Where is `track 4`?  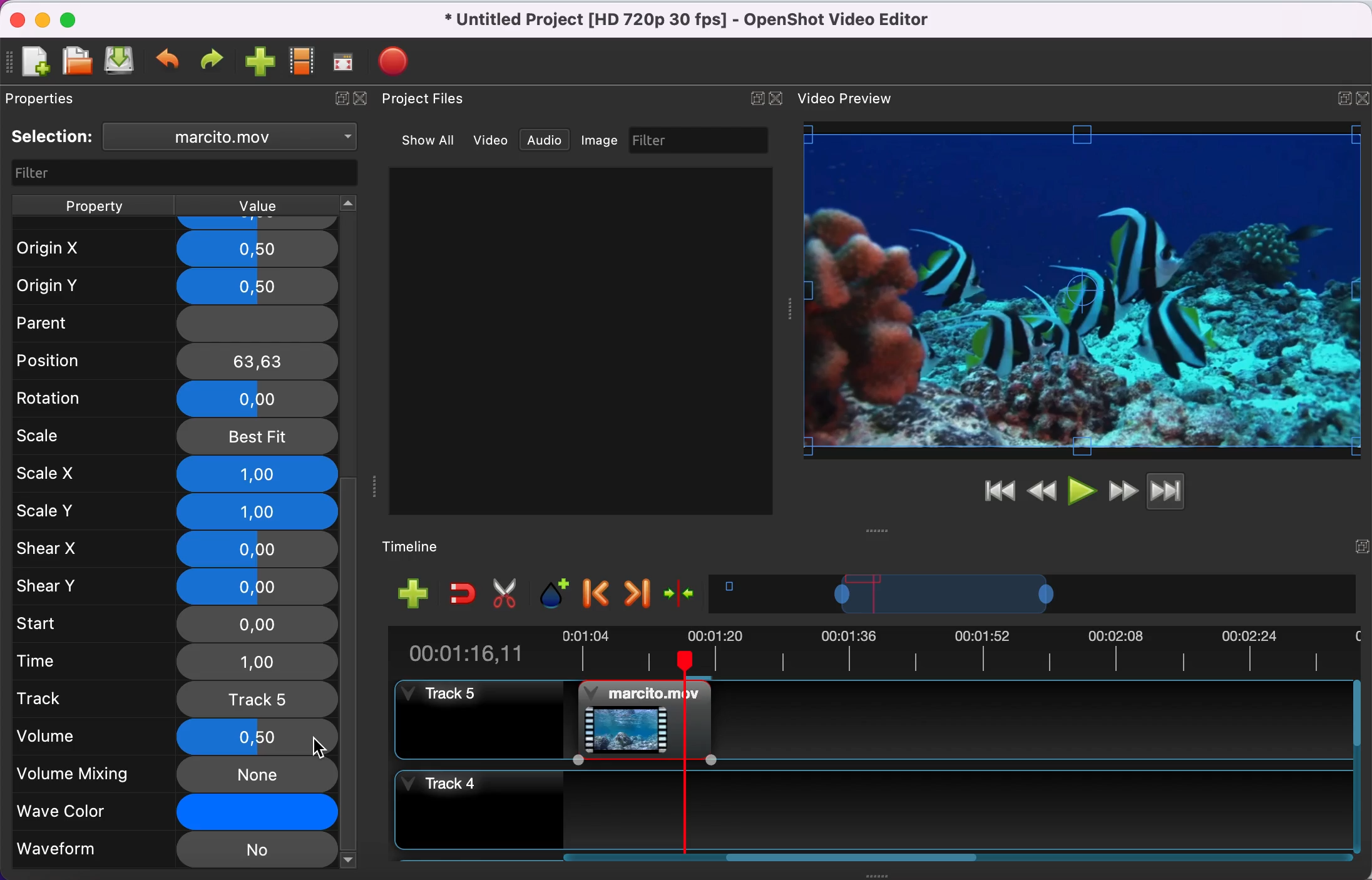 track 4 is located at coordinates (874, 807).